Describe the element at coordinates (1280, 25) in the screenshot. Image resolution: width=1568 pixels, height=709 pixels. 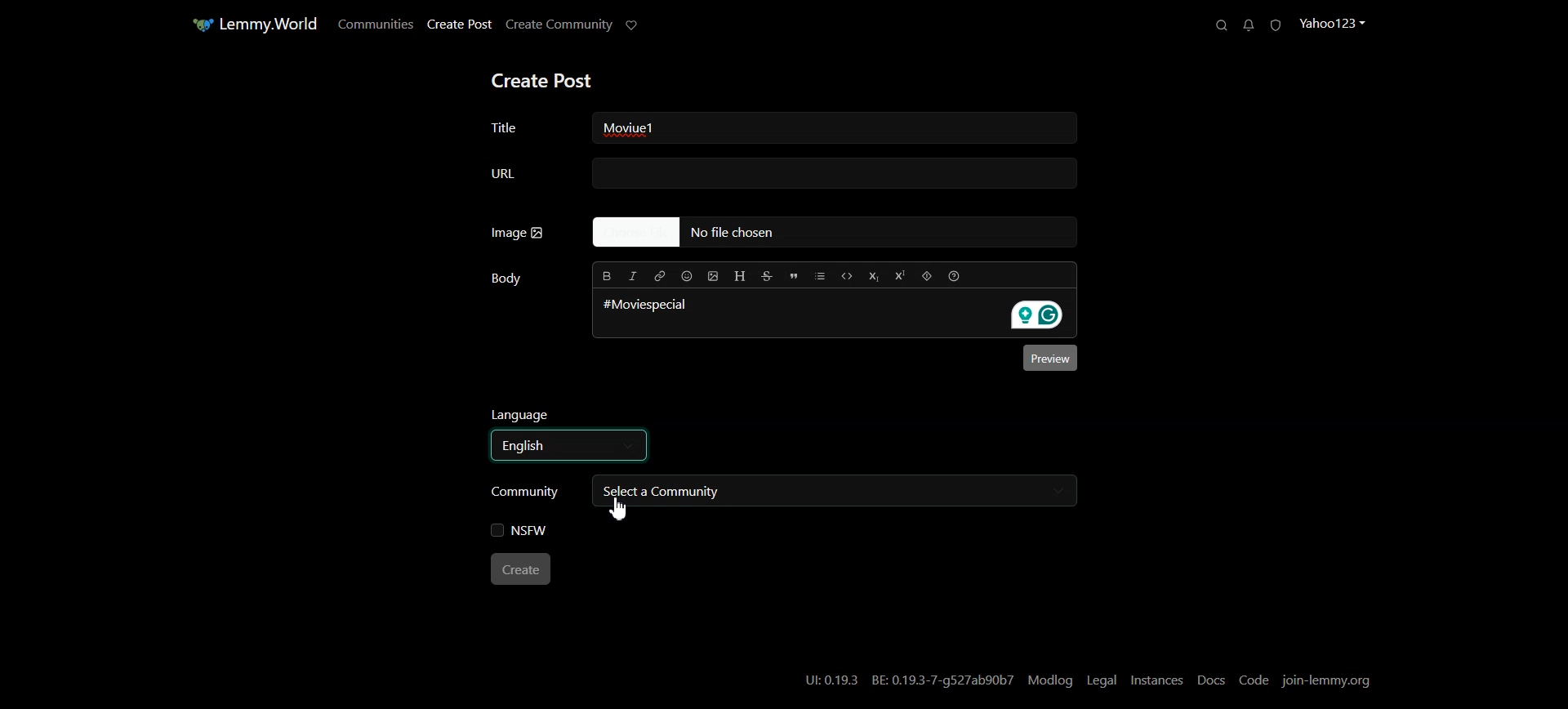
I see `Unread Report` at that location.